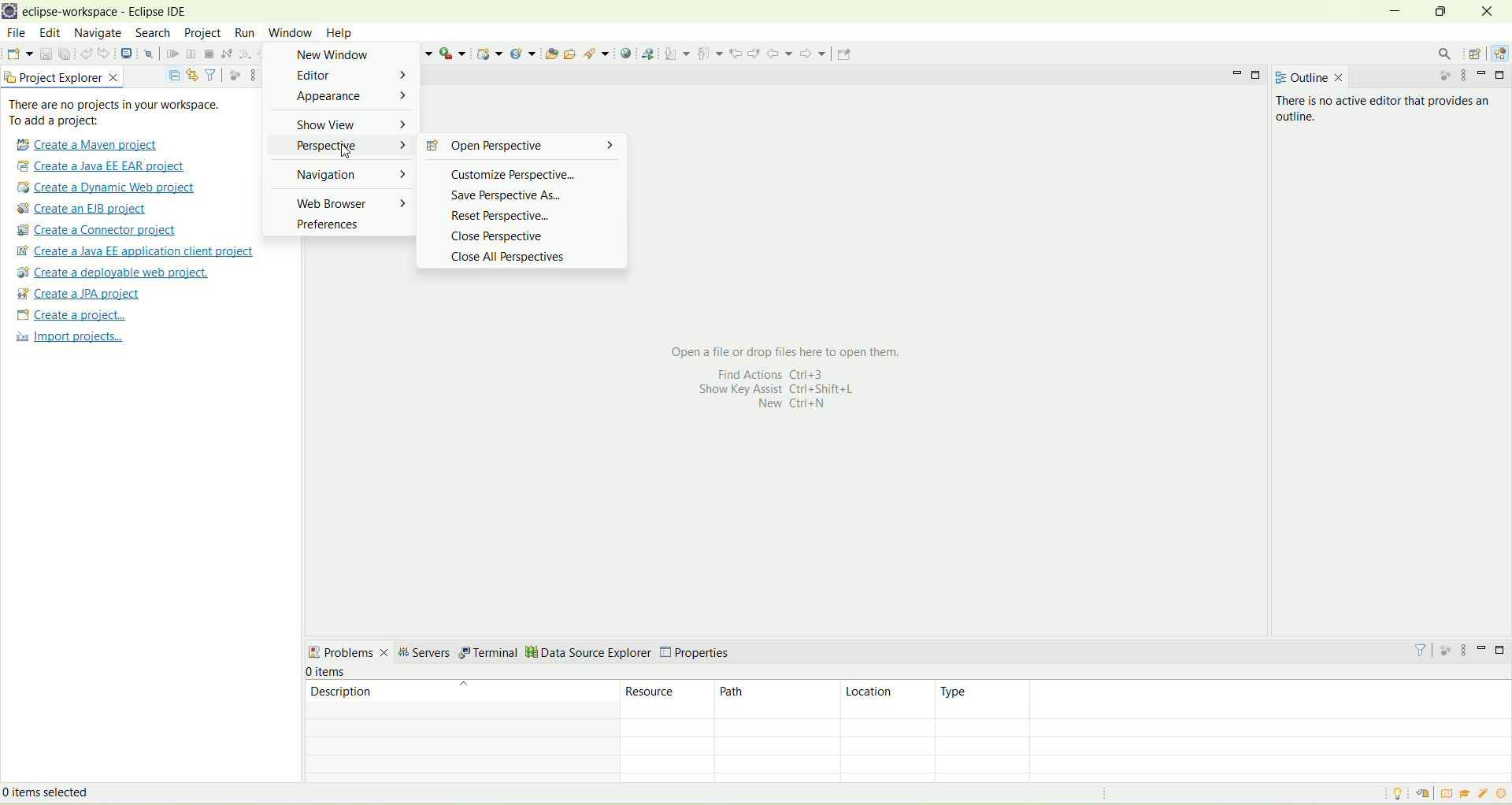 The height and width of the screenshot is (805, 1512). I want to click on close all perspectives, so click(512, 257).